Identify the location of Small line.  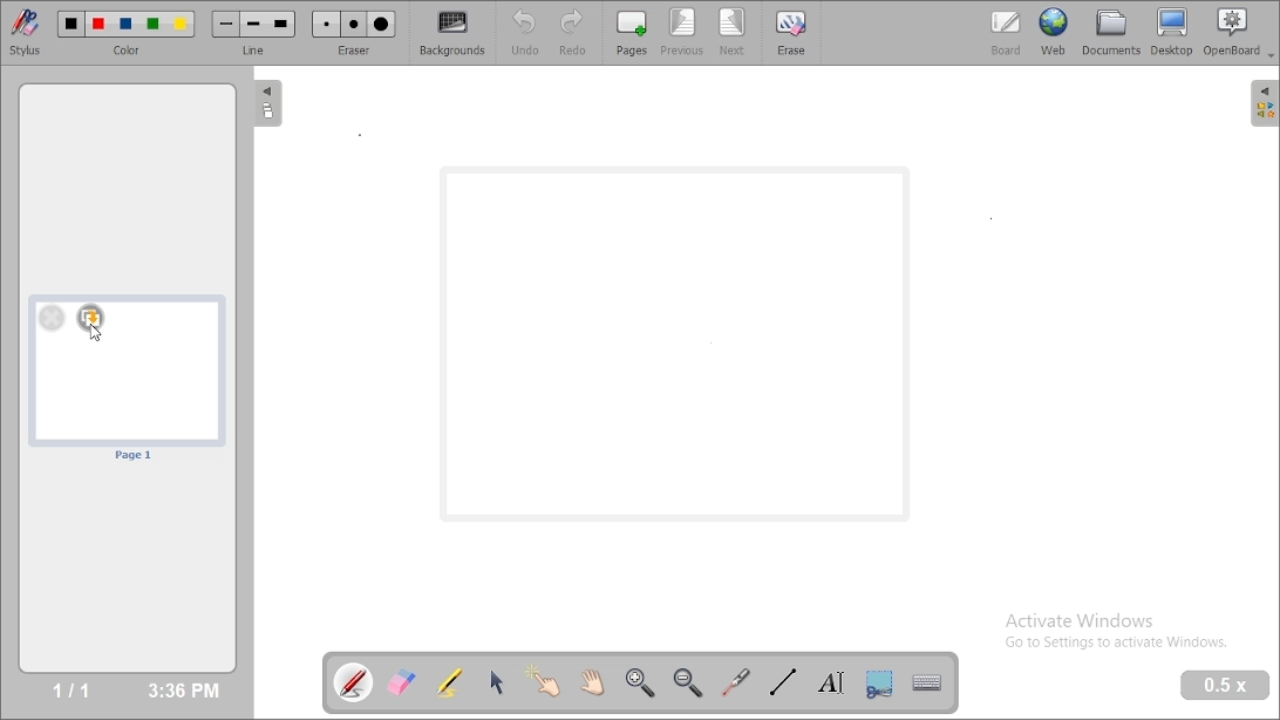
(226, 24).